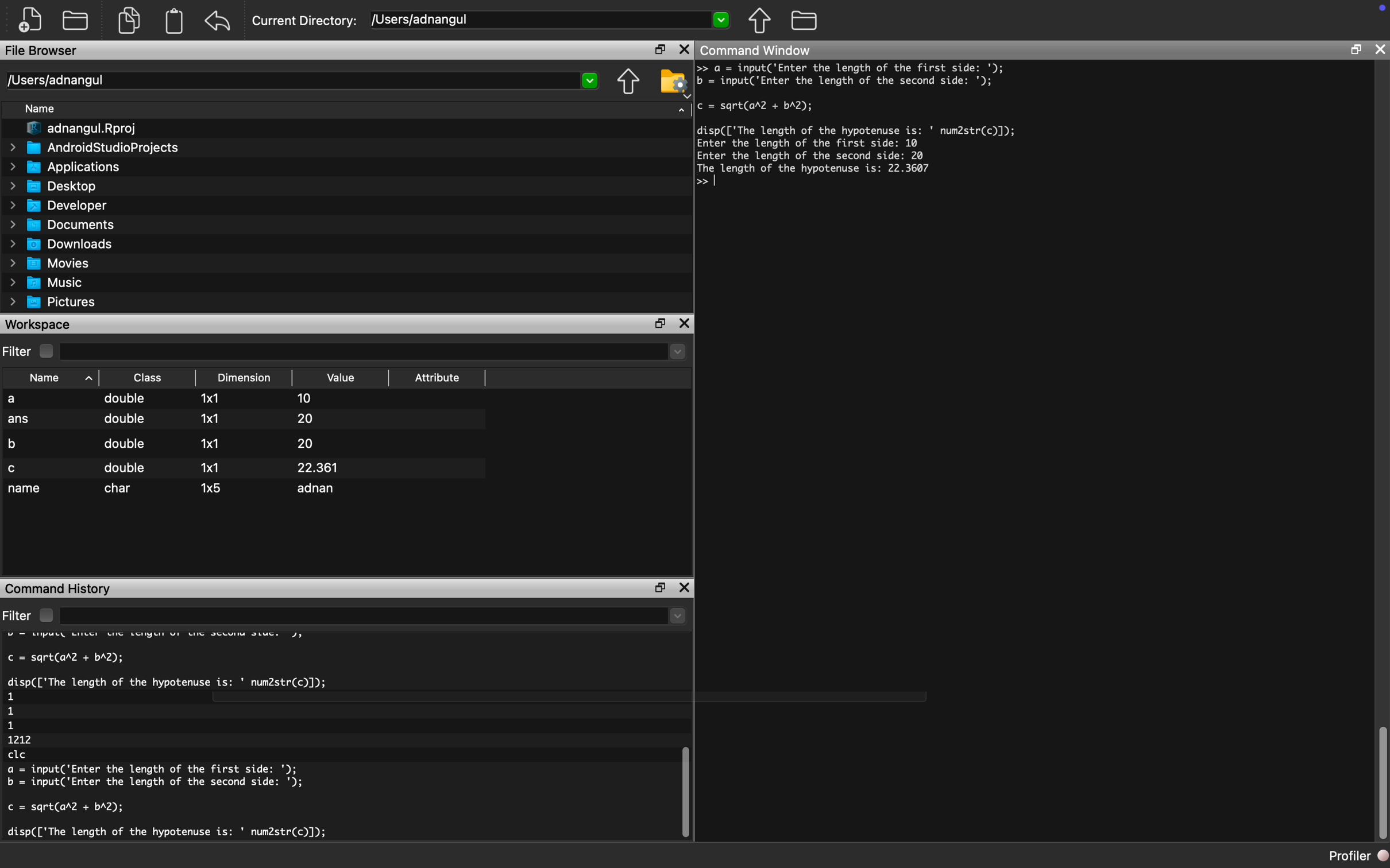 The image size is (1390, 868). What do you see at coordinates (53, 283) in the screenshot?
I see `Music` at bounding box center [53, 283].